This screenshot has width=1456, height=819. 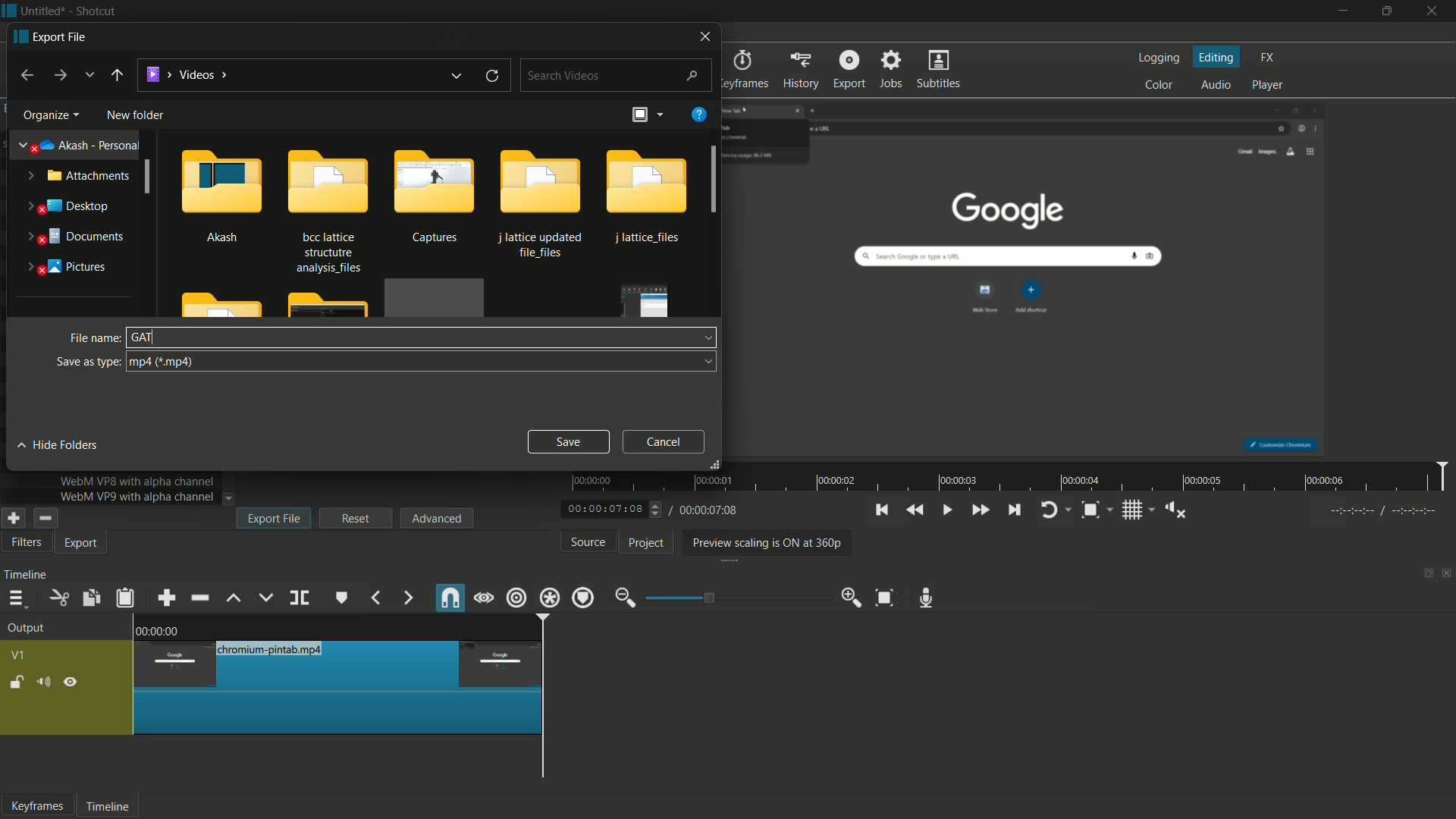 I want to click on time, so click(x=1013, y=477).